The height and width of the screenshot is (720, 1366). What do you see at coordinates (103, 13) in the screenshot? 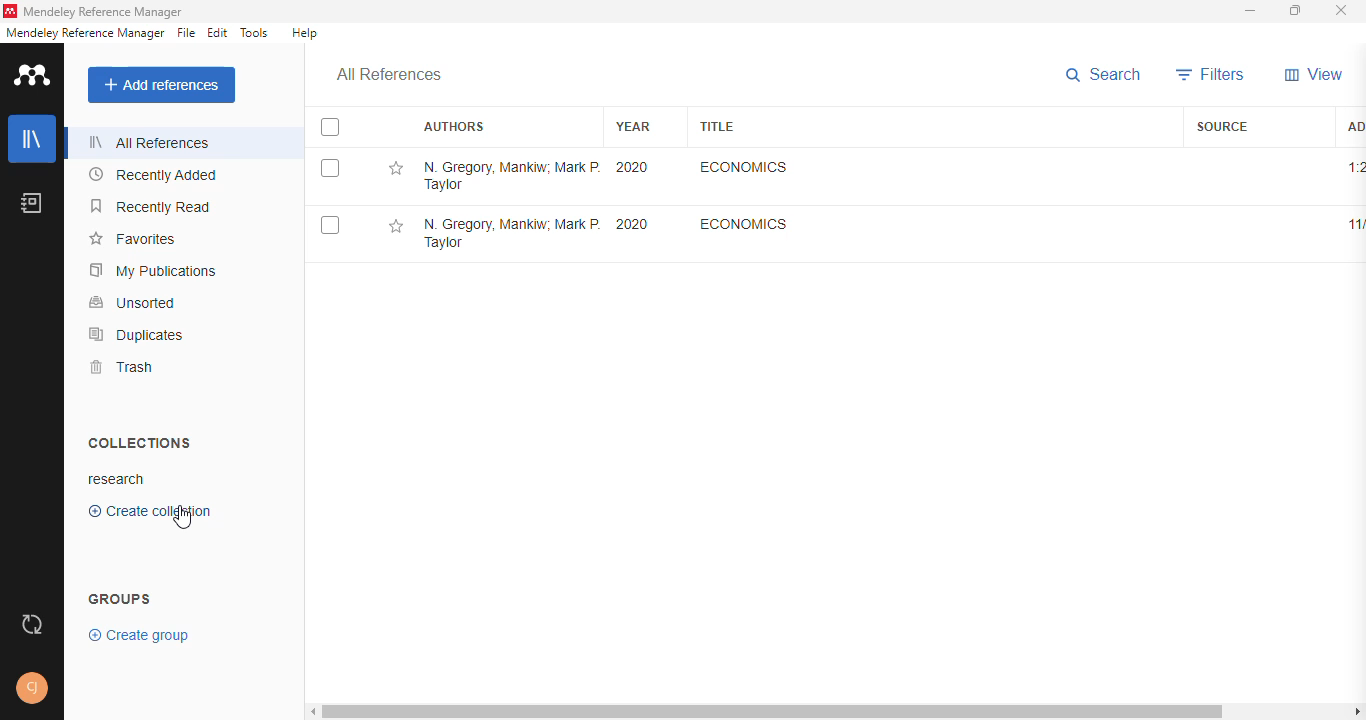
I see `mendeley reference manager` at bounding box center [103, 13].